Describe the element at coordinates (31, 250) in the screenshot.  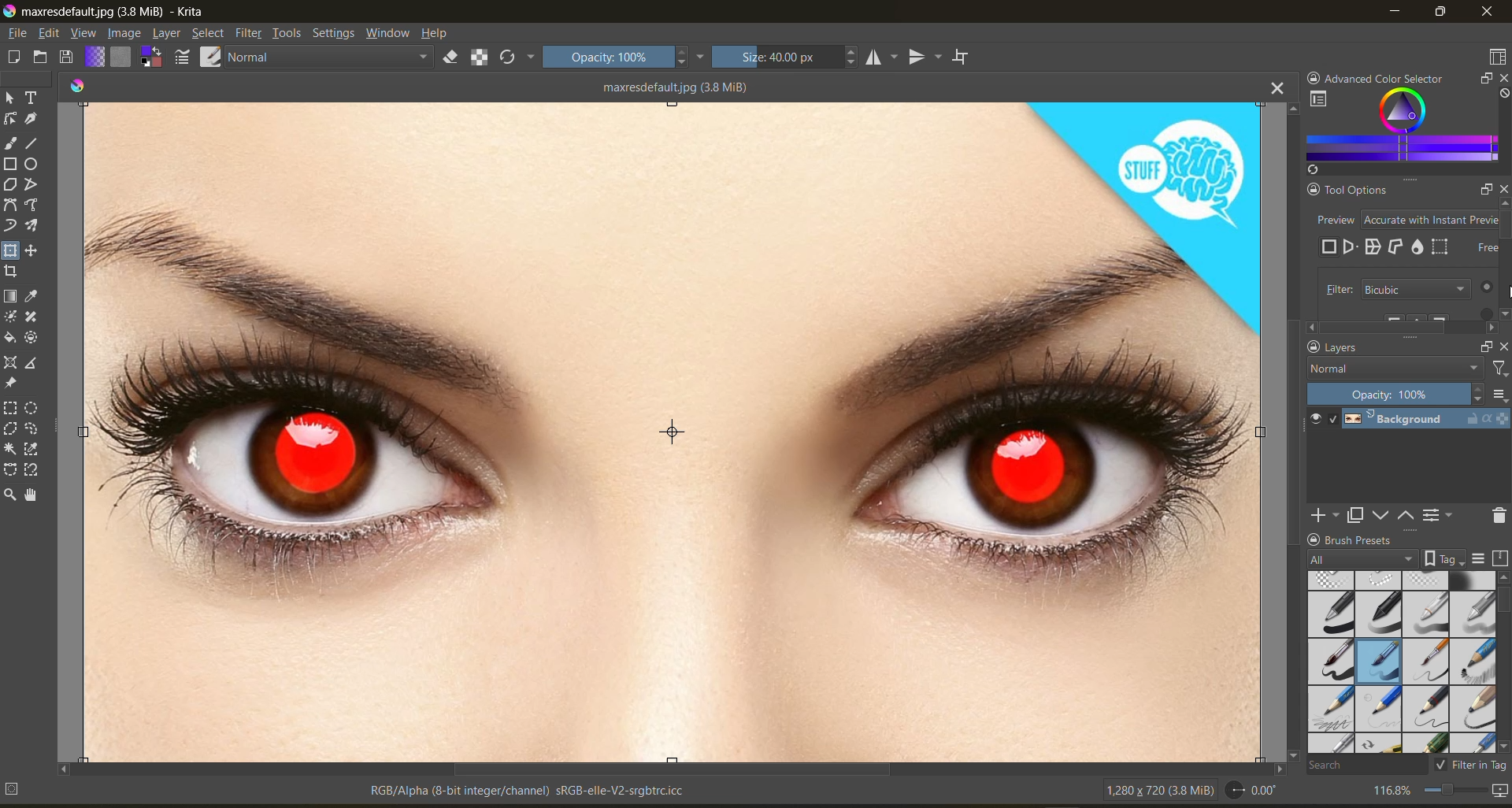
I see `tool` at that location.